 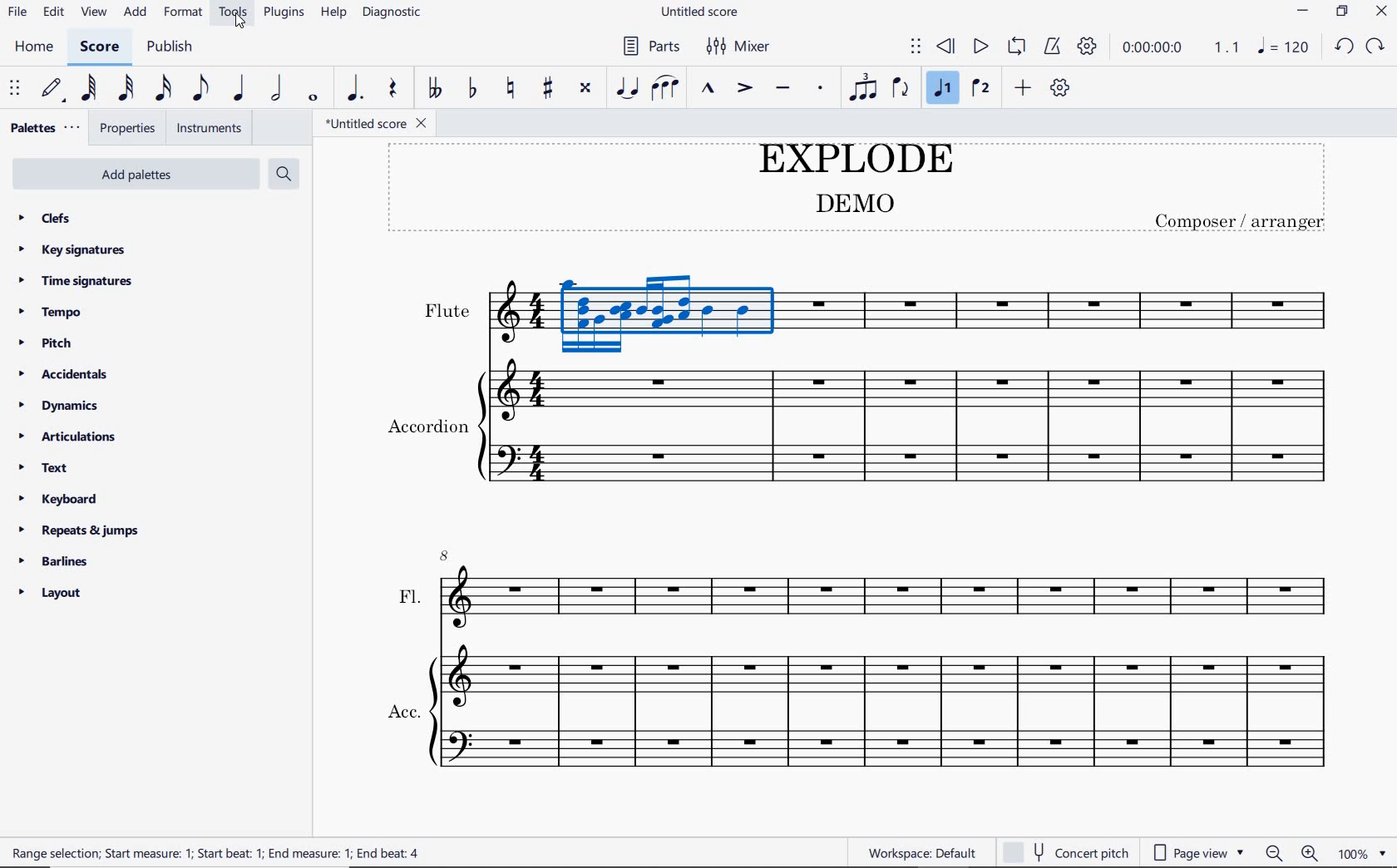 What do you see at coordinates (236, 10) in the screenshot?
I see `tools` at bounding box center [236, 10].